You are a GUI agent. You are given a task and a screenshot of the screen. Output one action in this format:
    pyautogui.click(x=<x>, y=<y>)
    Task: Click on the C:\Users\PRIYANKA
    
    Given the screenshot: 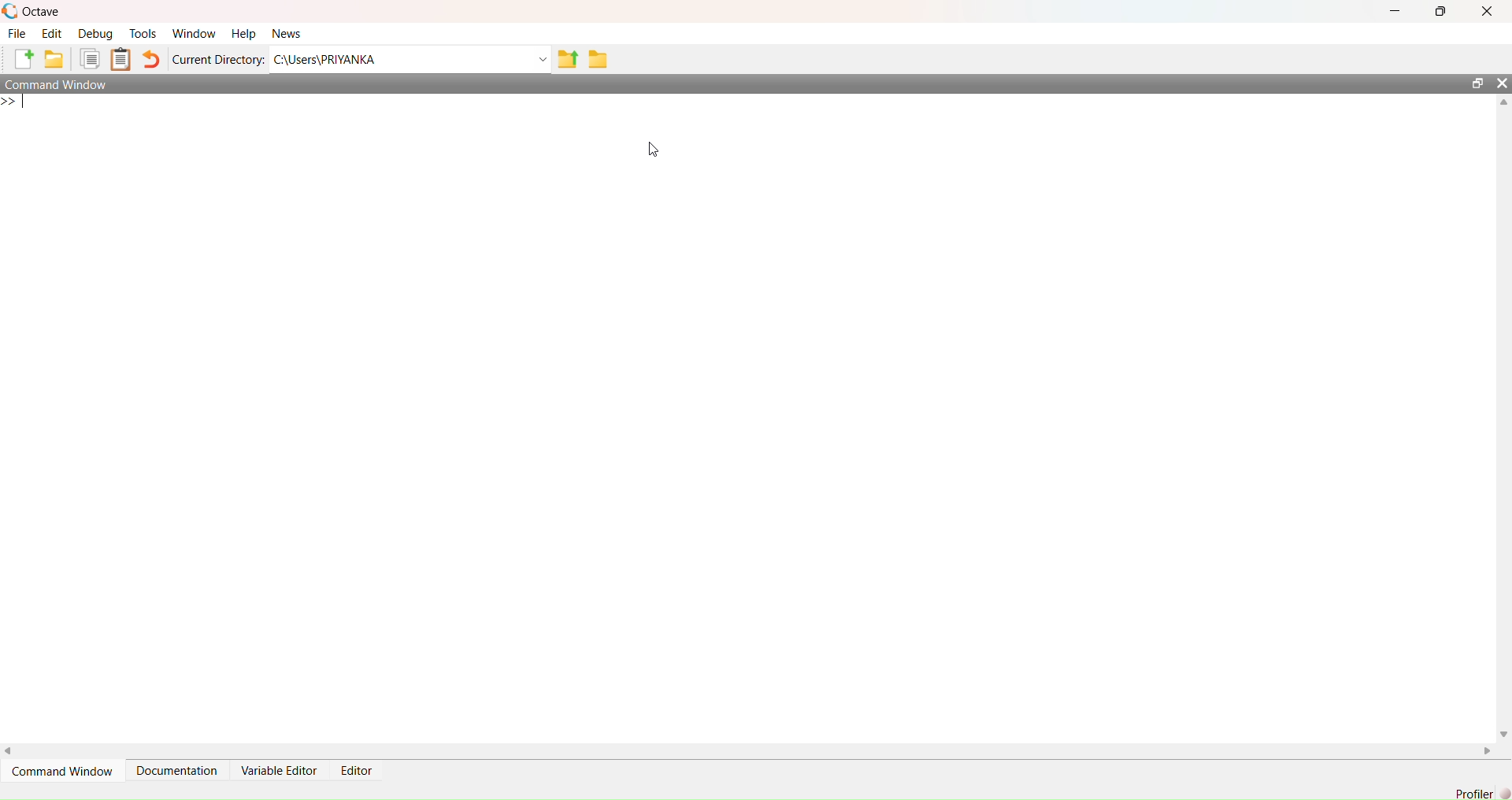 What is the action you would take?
    pyautogui.click(x=401, y=60)
    